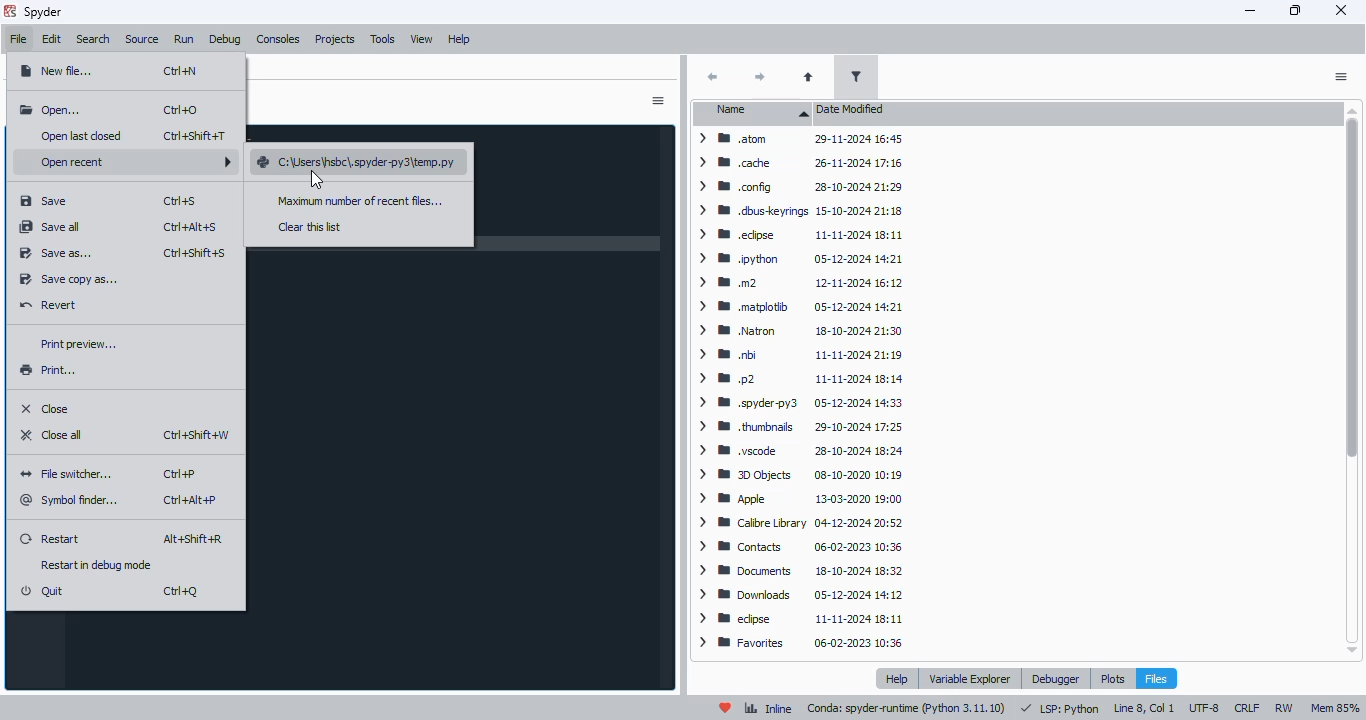 Image resolution: width=1366 pixels, height=720 pixels. Describe the element at coordinates (798, 451) in the screenshot. I see `> M8 .vscode 28-10-2024 18:24` at that location.